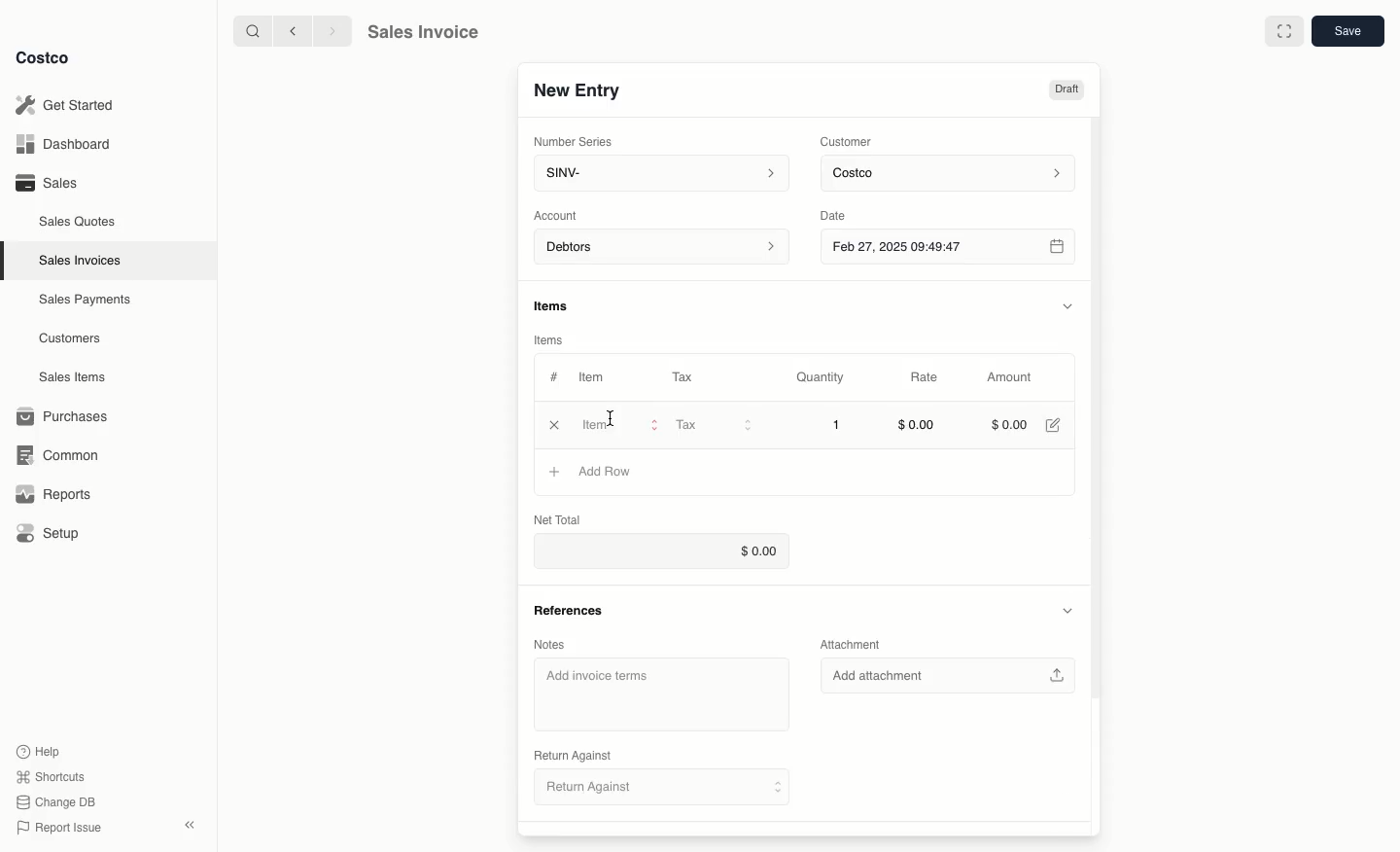  I want to click on References, so click(567, 611).